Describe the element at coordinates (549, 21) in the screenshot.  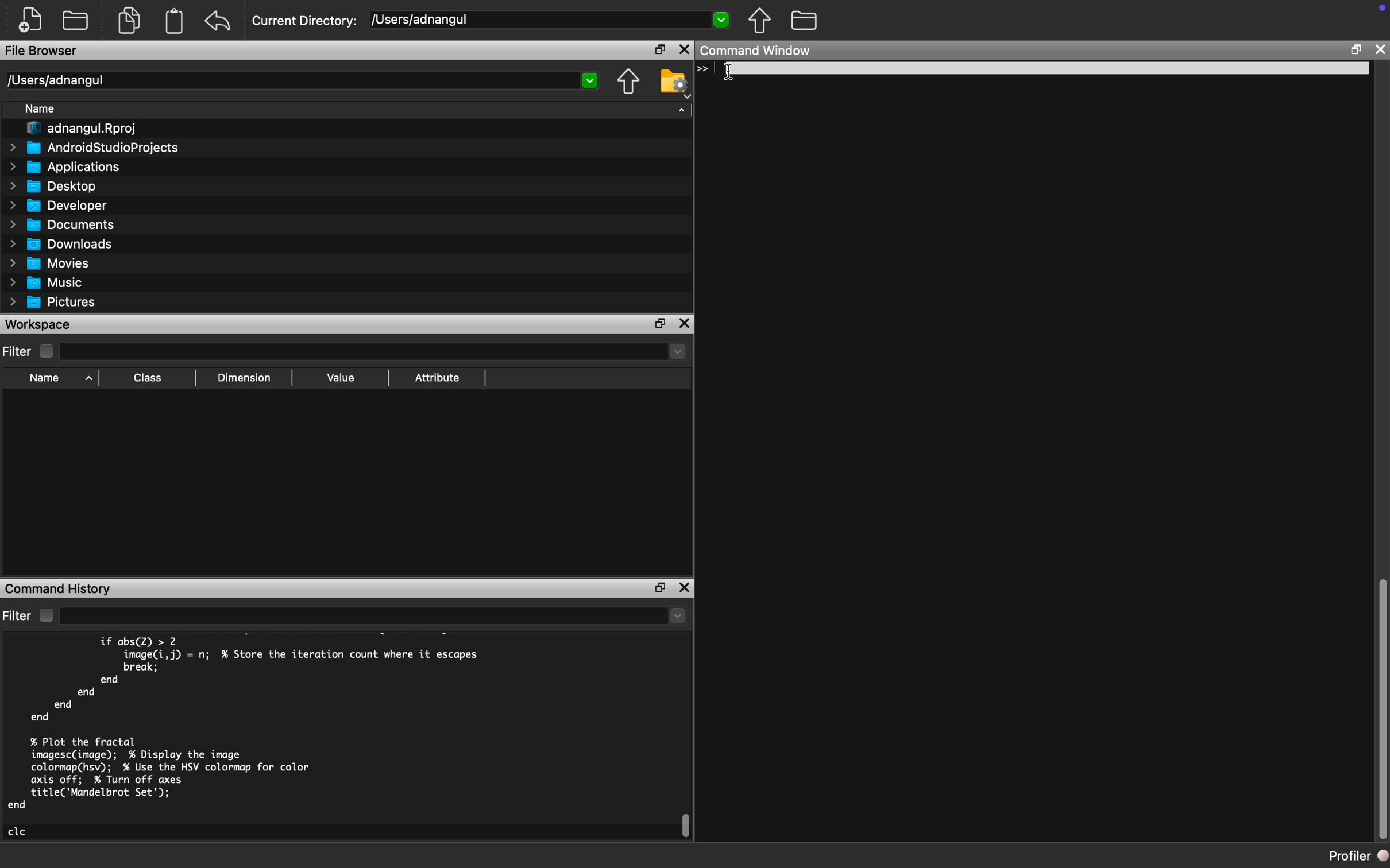
I see `/Users/adnangul ` at that location.